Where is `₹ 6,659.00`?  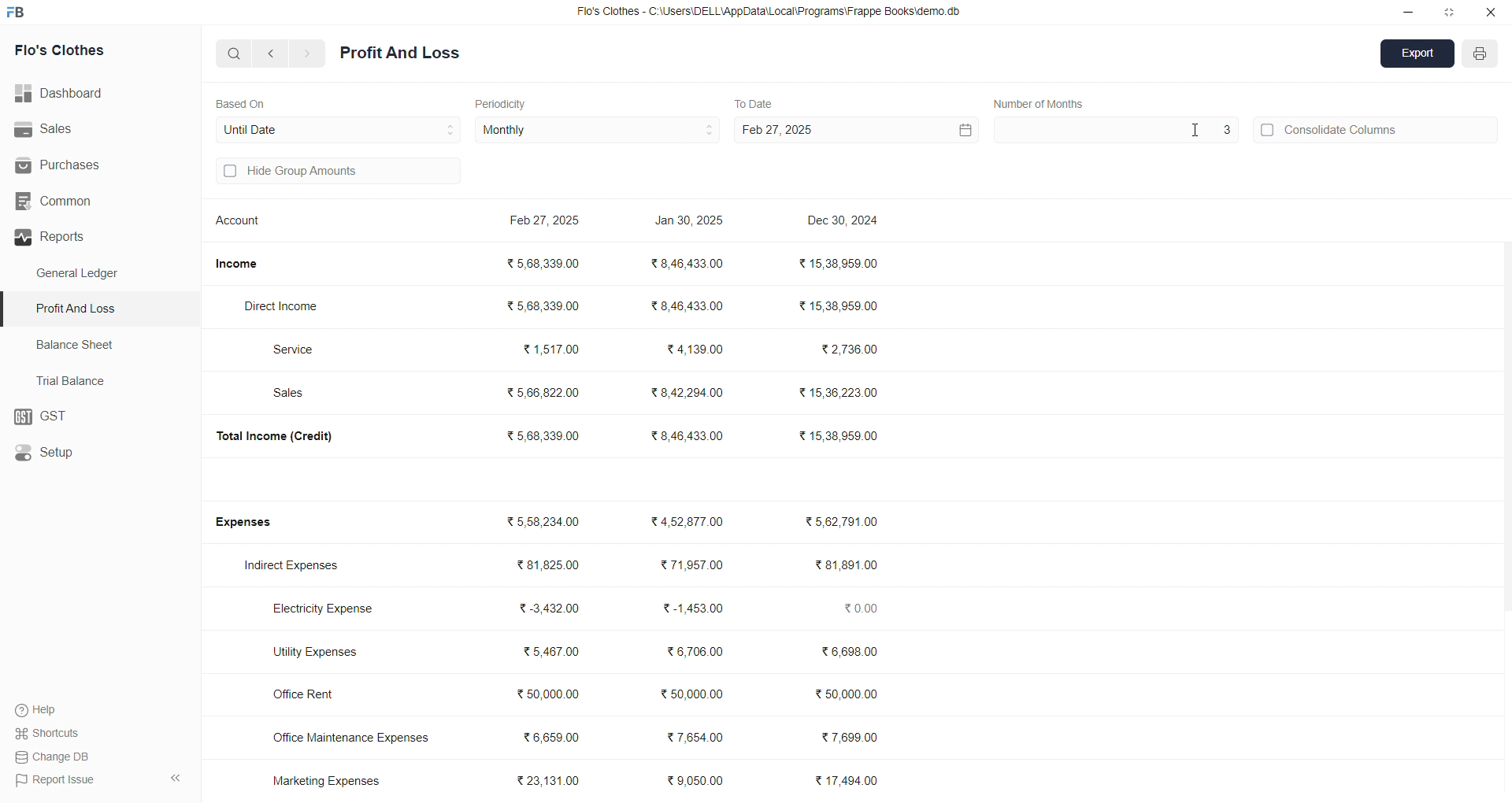 ₹ 6,659.00 is located at coordinates (558, 735).